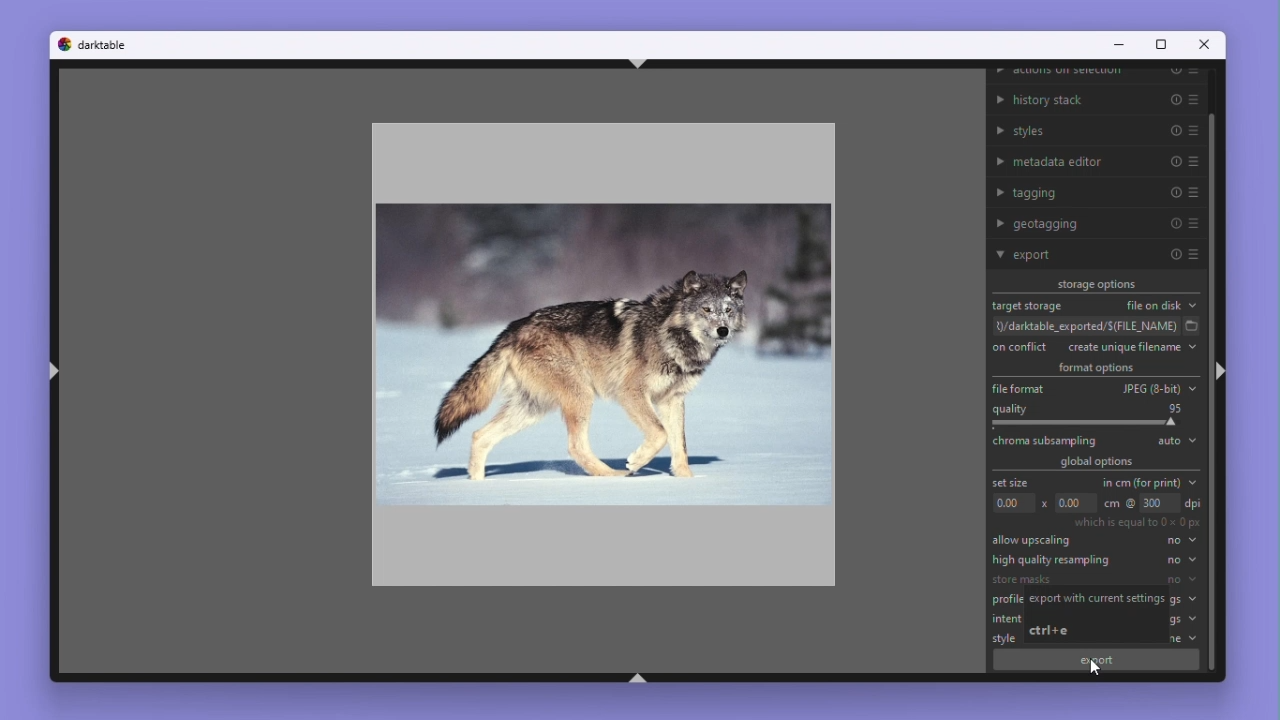 The width and height of the screenshot is (1280, 720). What do you see at coordinates (1018, 410) in the screenshot?
I see `Quality` at bounding box center [1018, 410].